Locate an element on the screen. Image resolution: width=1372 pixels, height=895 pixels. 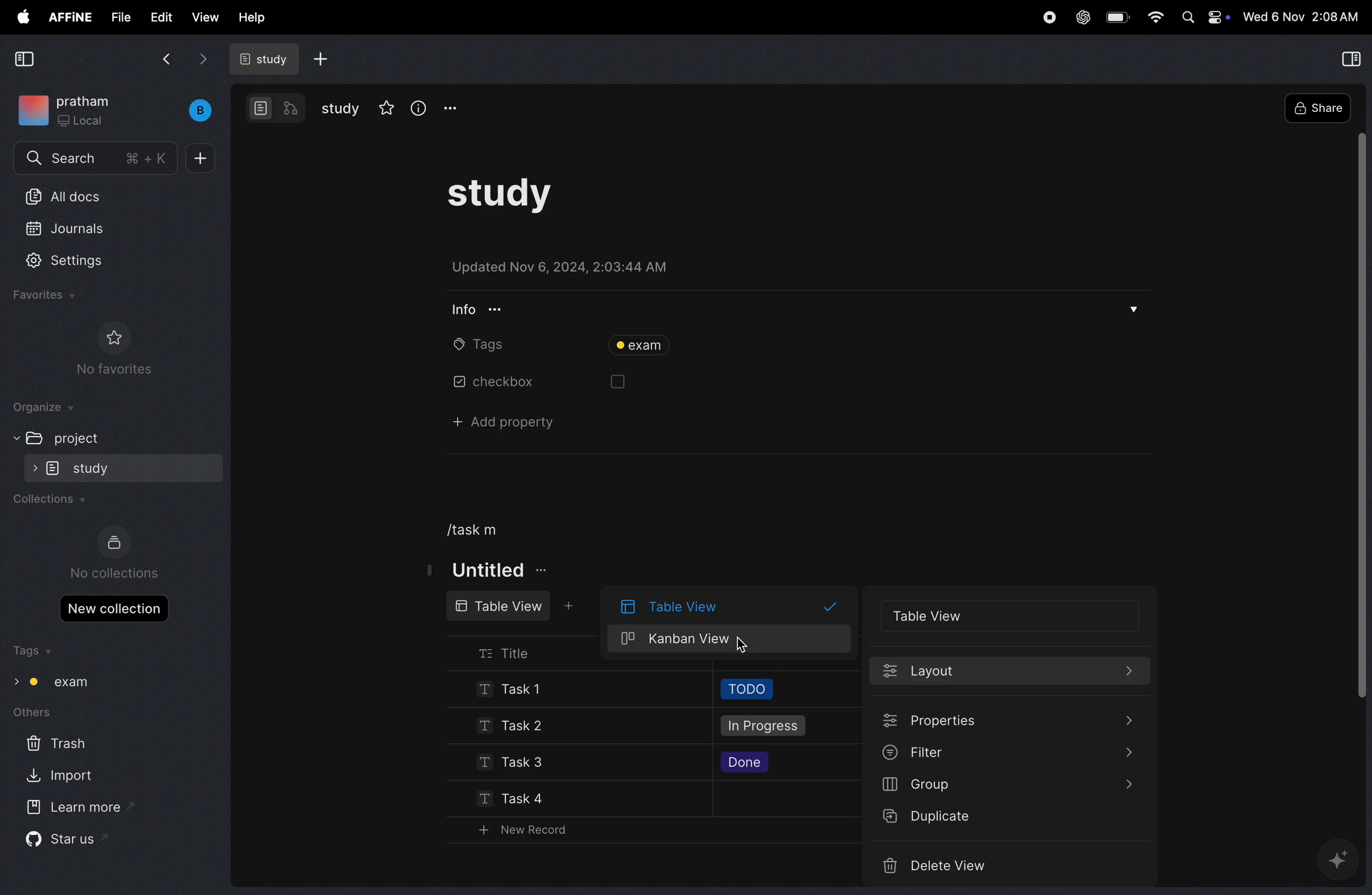
table view is located at coordinates (499, 606).